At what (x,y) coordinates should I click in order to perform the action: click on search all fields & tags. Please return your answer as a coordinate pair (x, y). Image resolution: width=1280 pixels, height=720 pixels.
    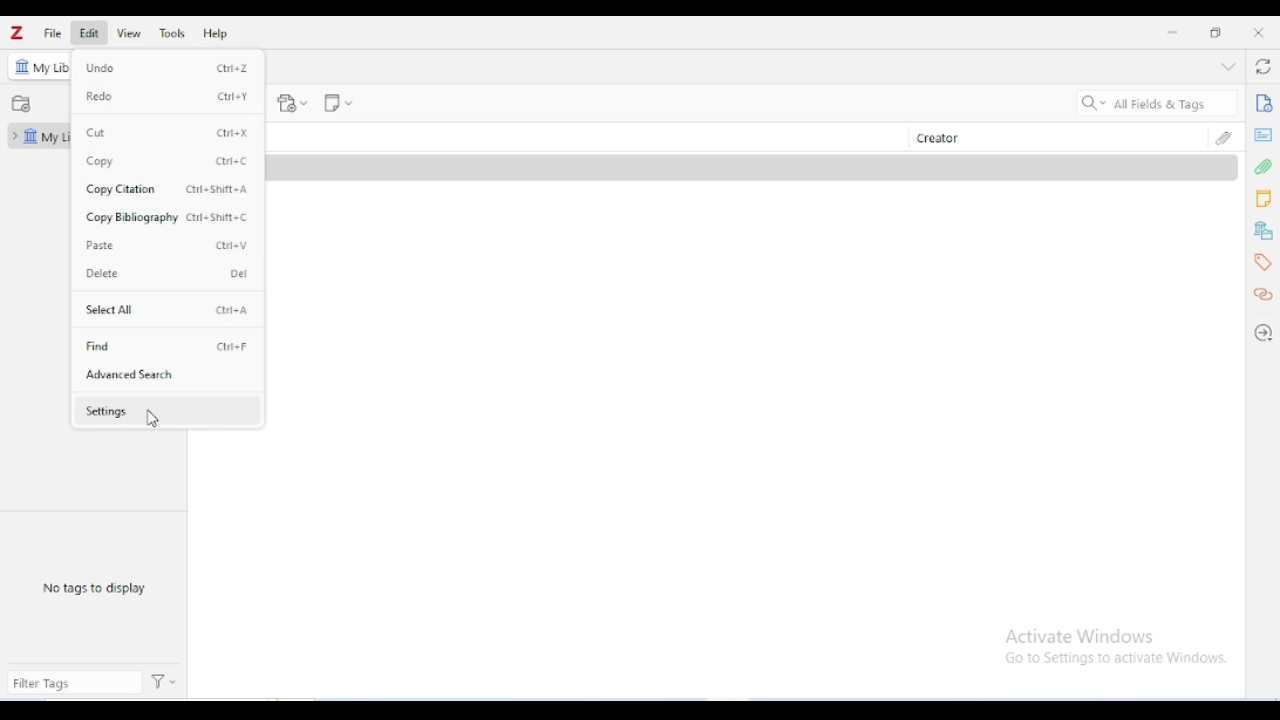
    Looking at the image, I should click on (1155, 103).